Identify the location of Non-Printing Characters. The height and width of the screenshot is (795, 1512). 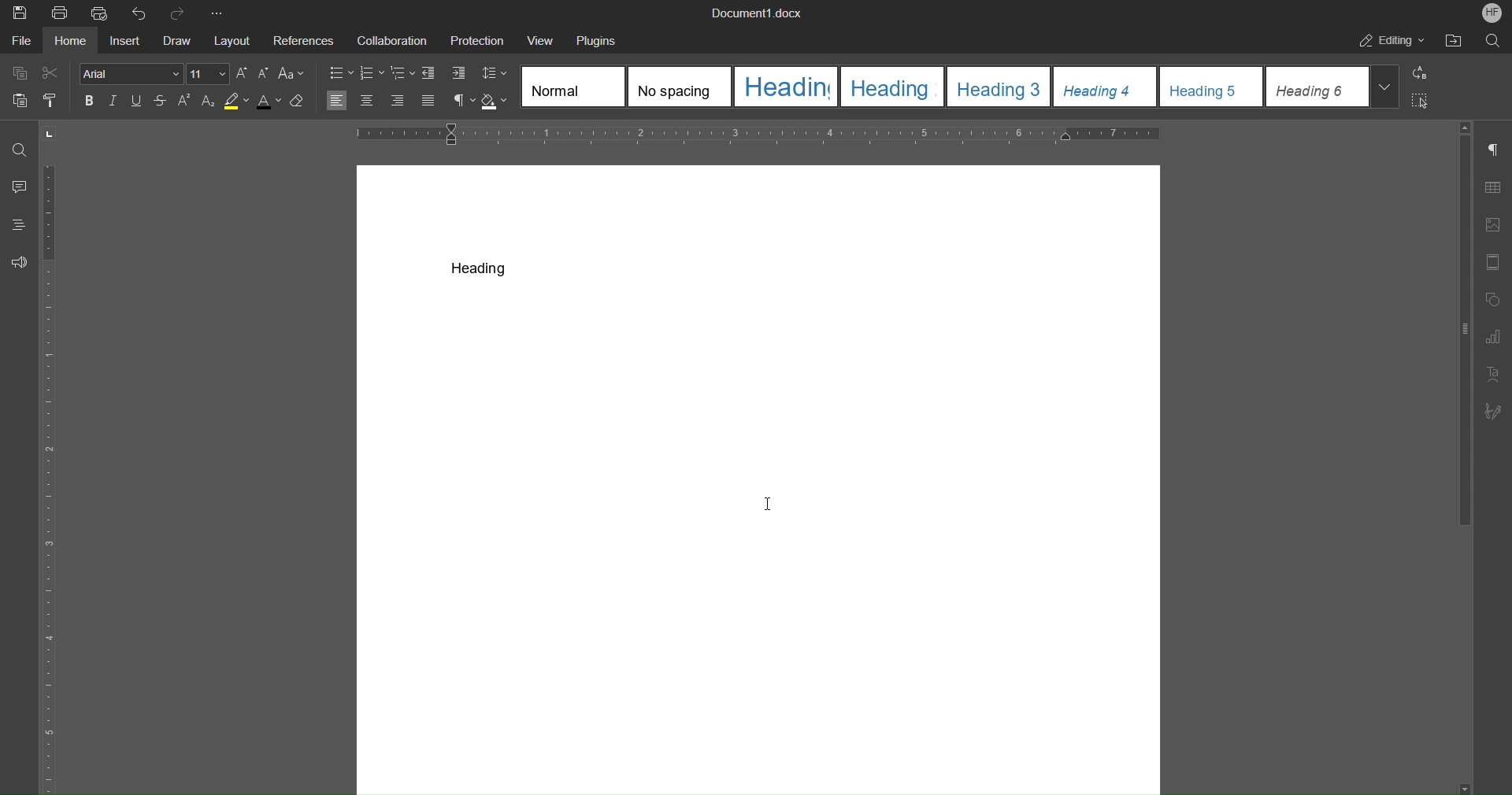
(1496, 153).